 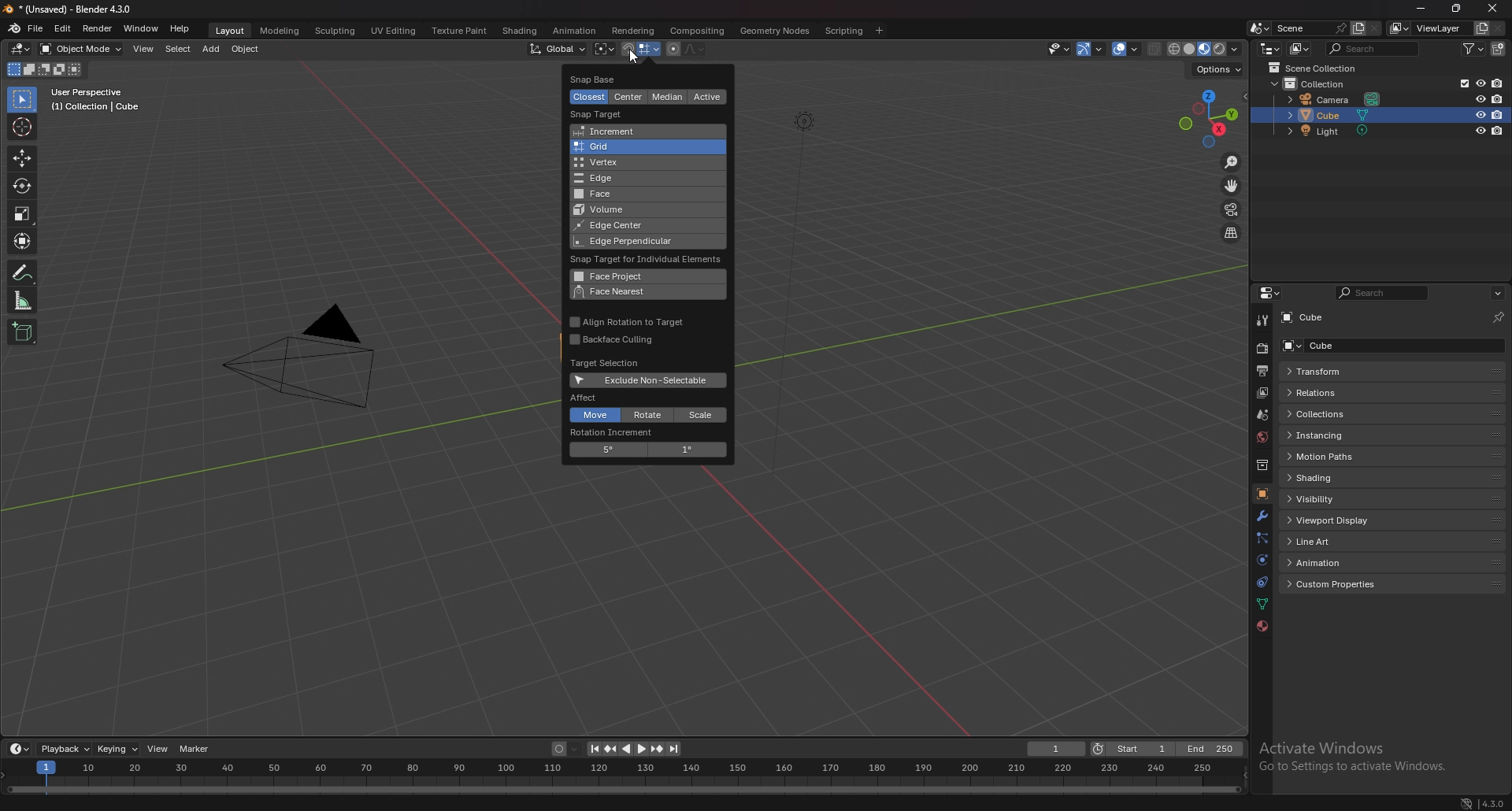 I want to click on options, so click(x=1497, y=293).